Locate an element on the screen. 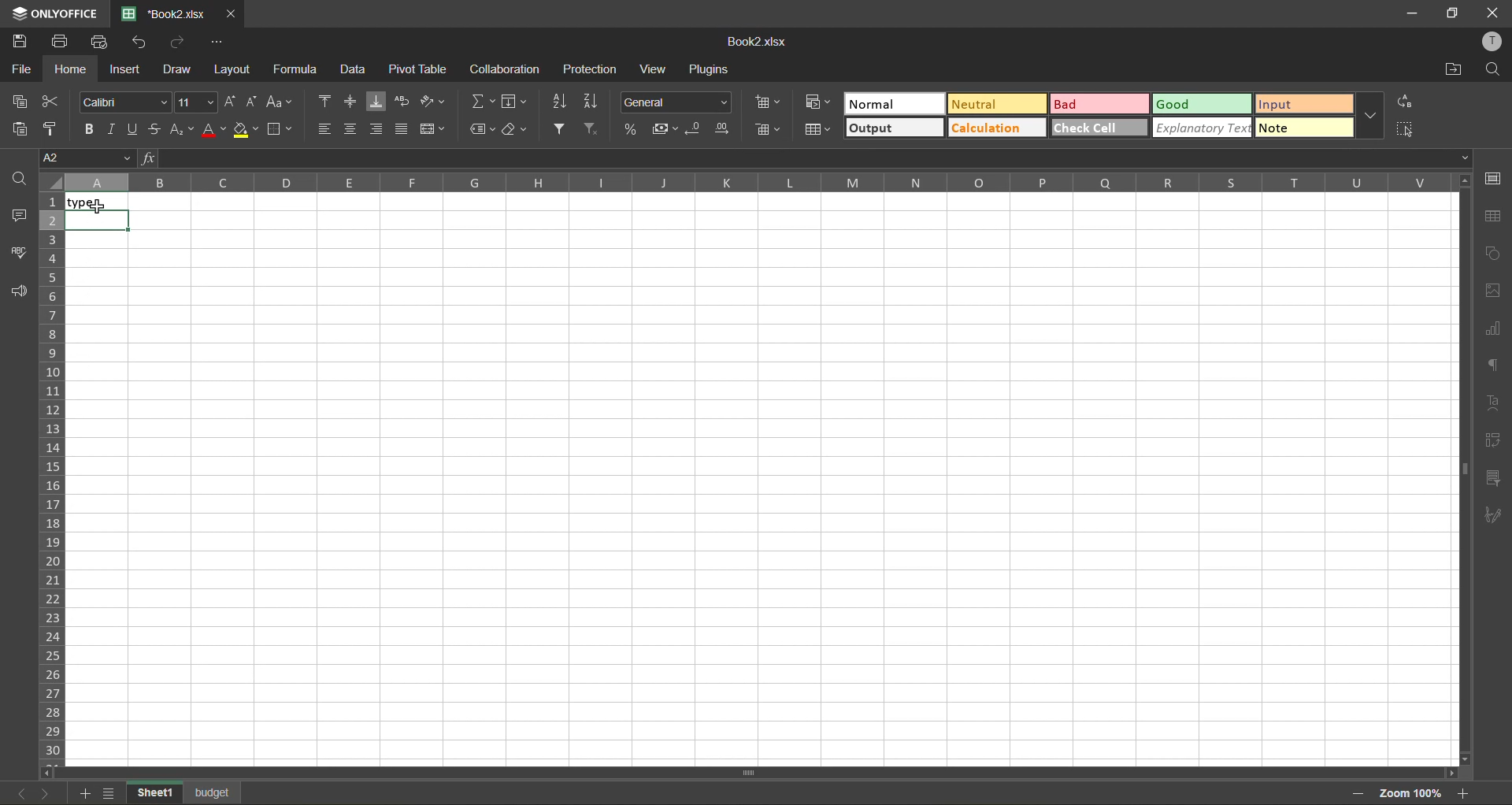 Image resolution: width=1512 pixels, height=805 pixels. file name is located at coordinates (758, 43).